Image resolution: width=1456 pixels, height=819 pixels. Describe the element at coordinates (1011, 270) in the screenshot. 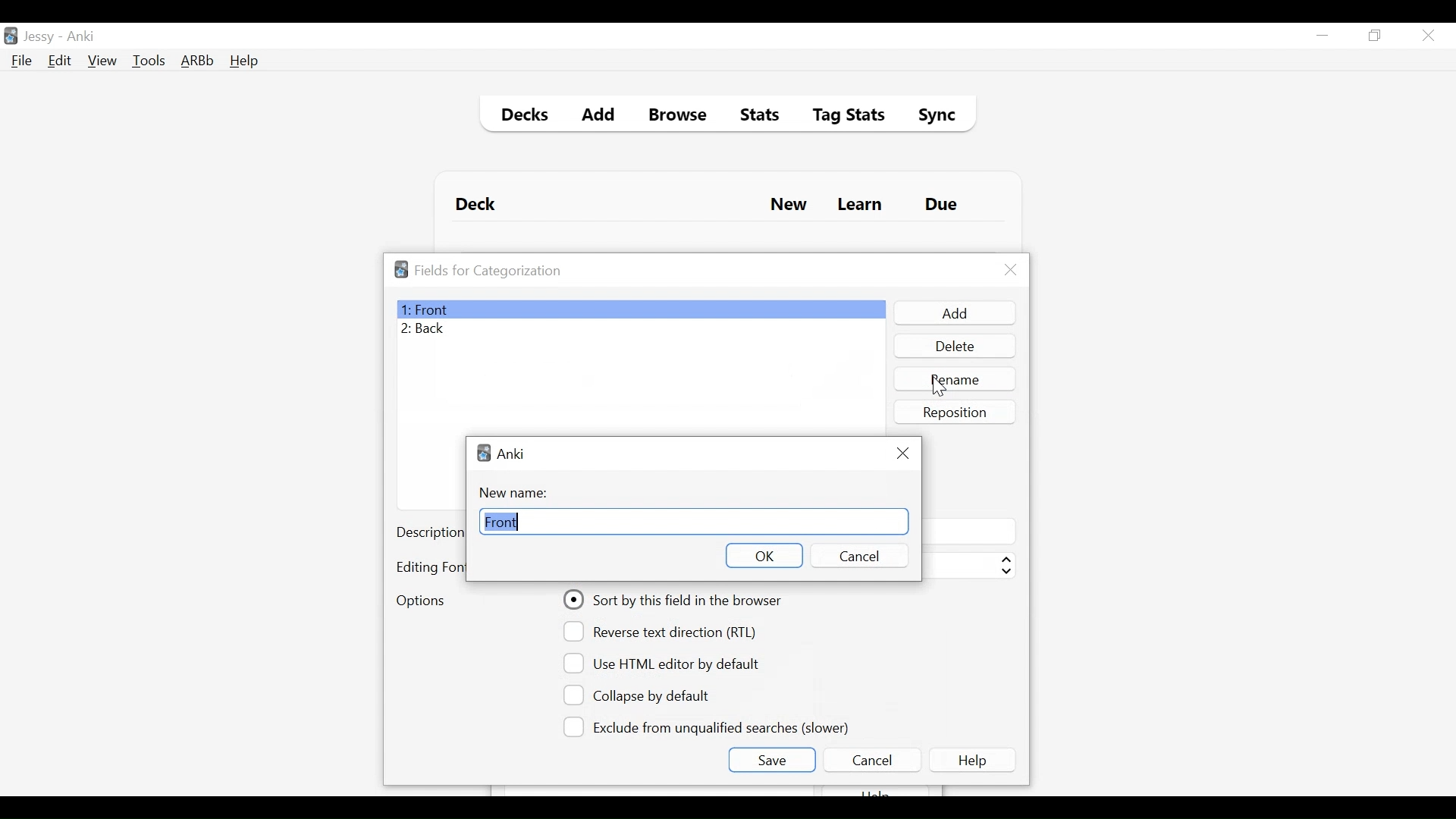

I see `Close` at that location.